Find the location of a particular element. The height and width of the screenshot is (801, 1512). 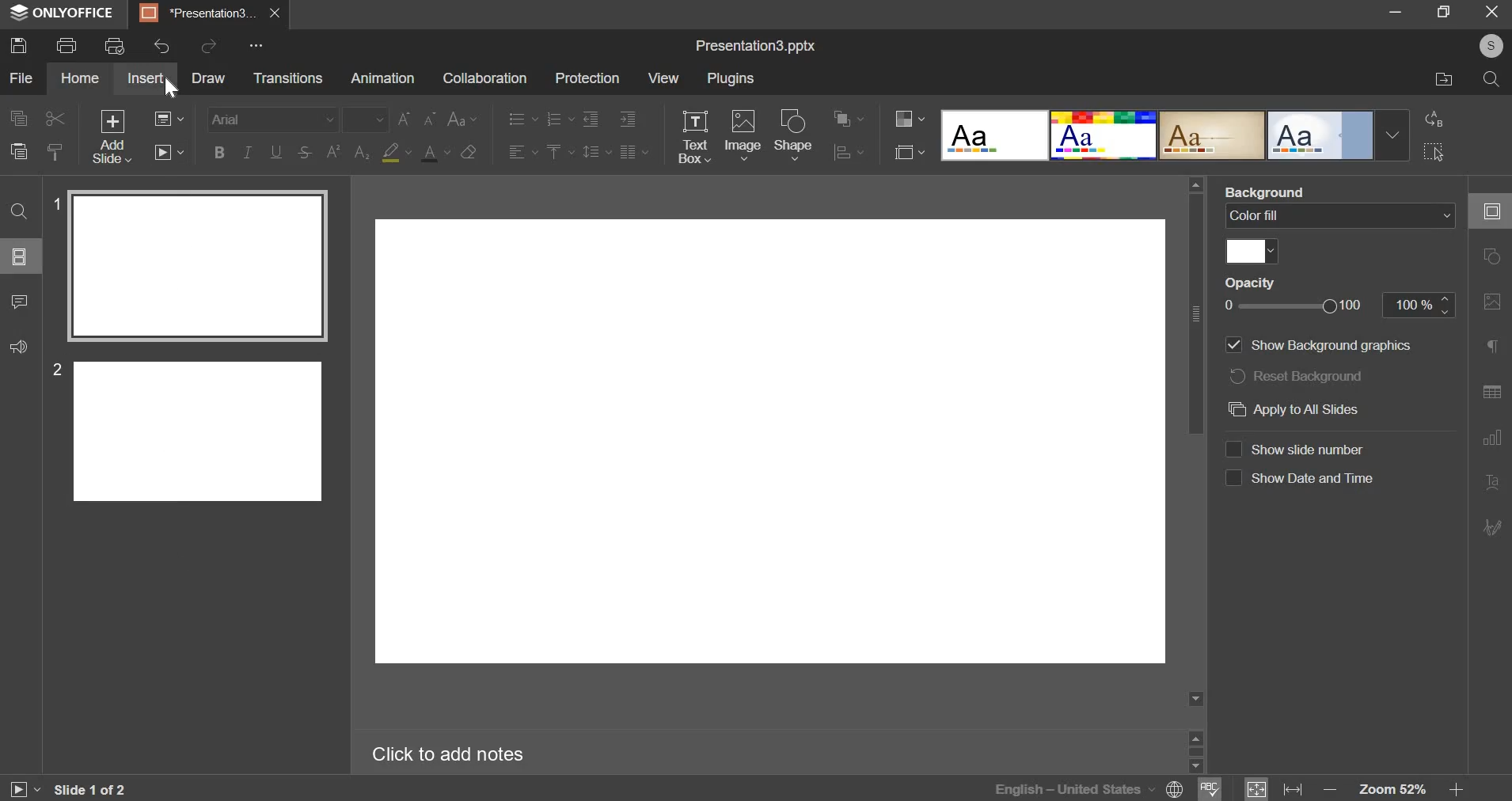

app name is located at coordinates (63, 16).